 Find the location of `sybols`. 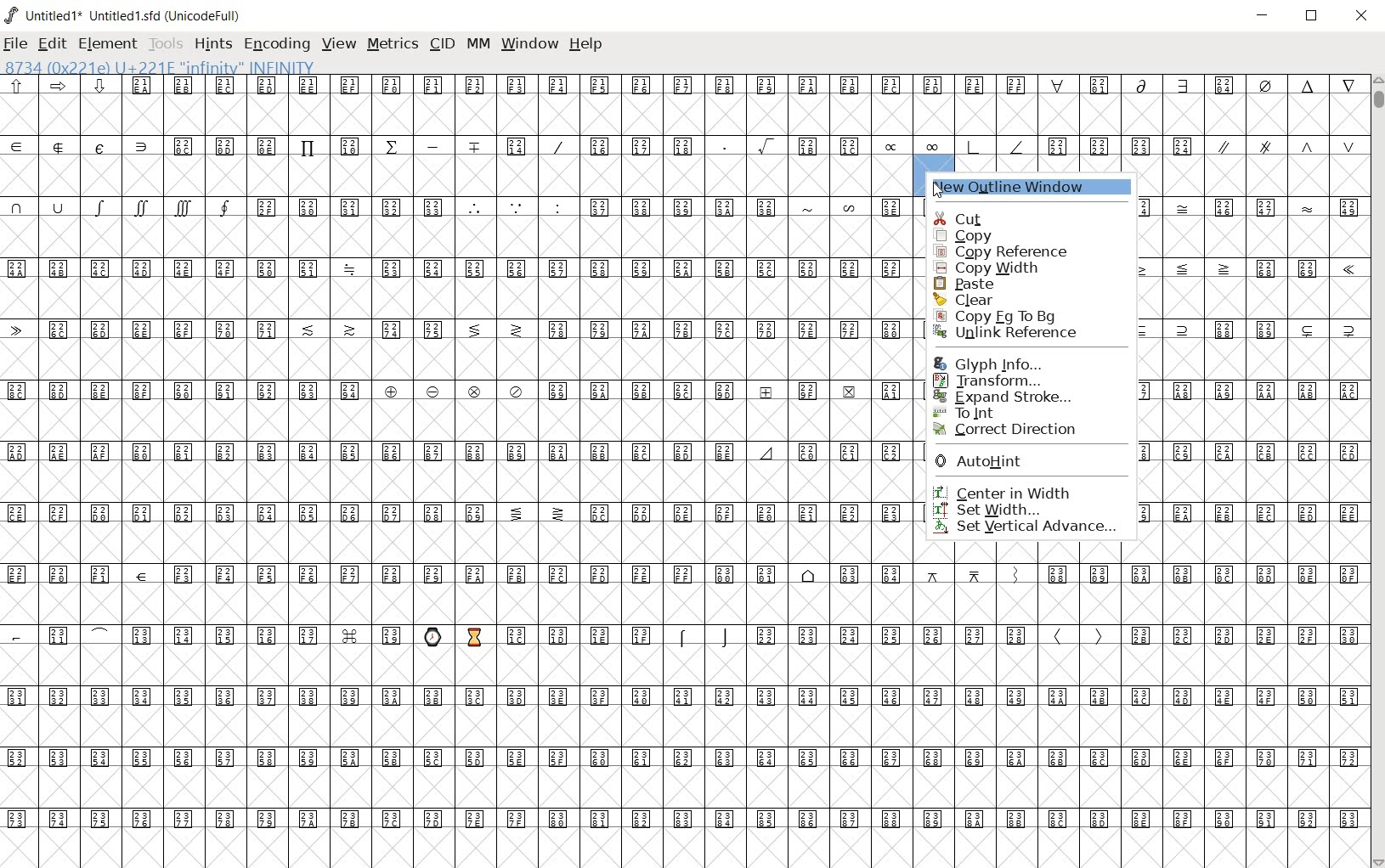

sybols is located at coordinates (65, 85).